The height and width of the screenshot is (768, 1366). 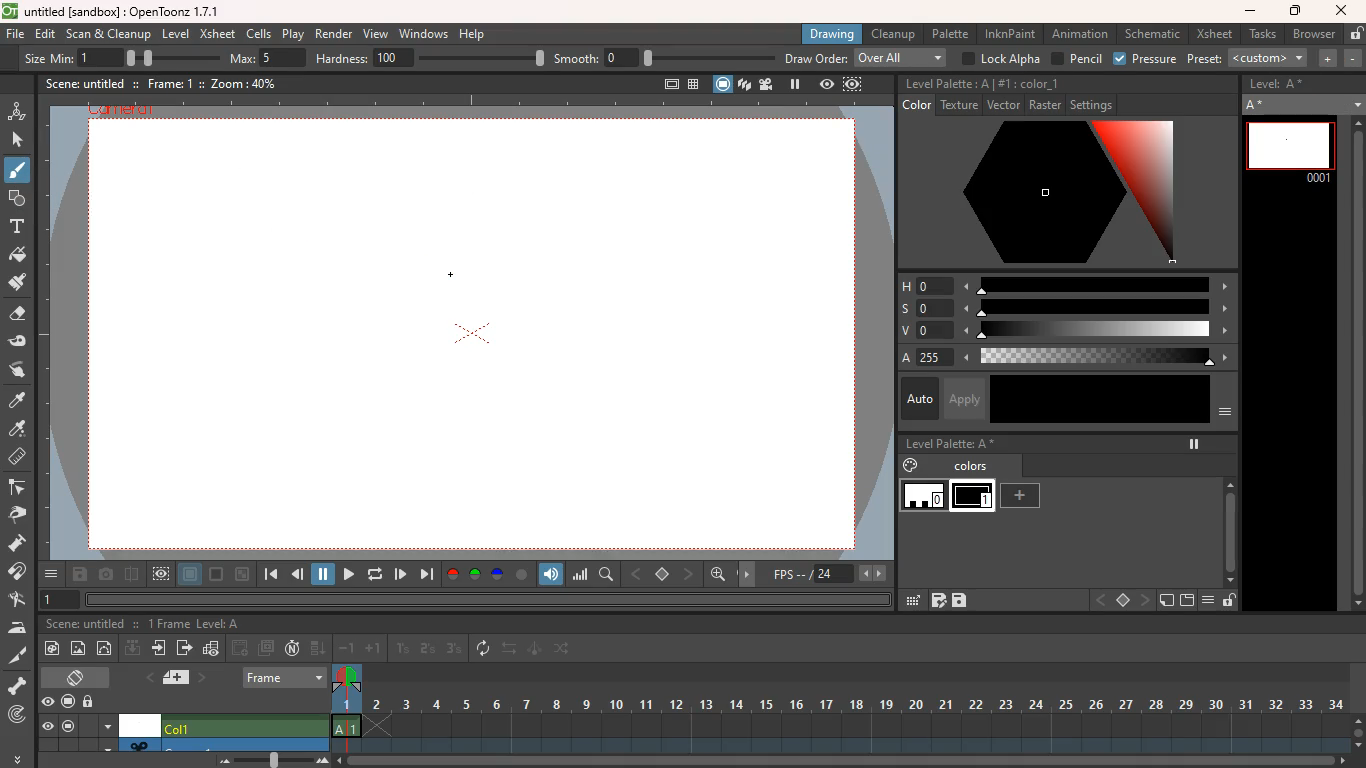 I want to click on play, so click(x=401, y=573).